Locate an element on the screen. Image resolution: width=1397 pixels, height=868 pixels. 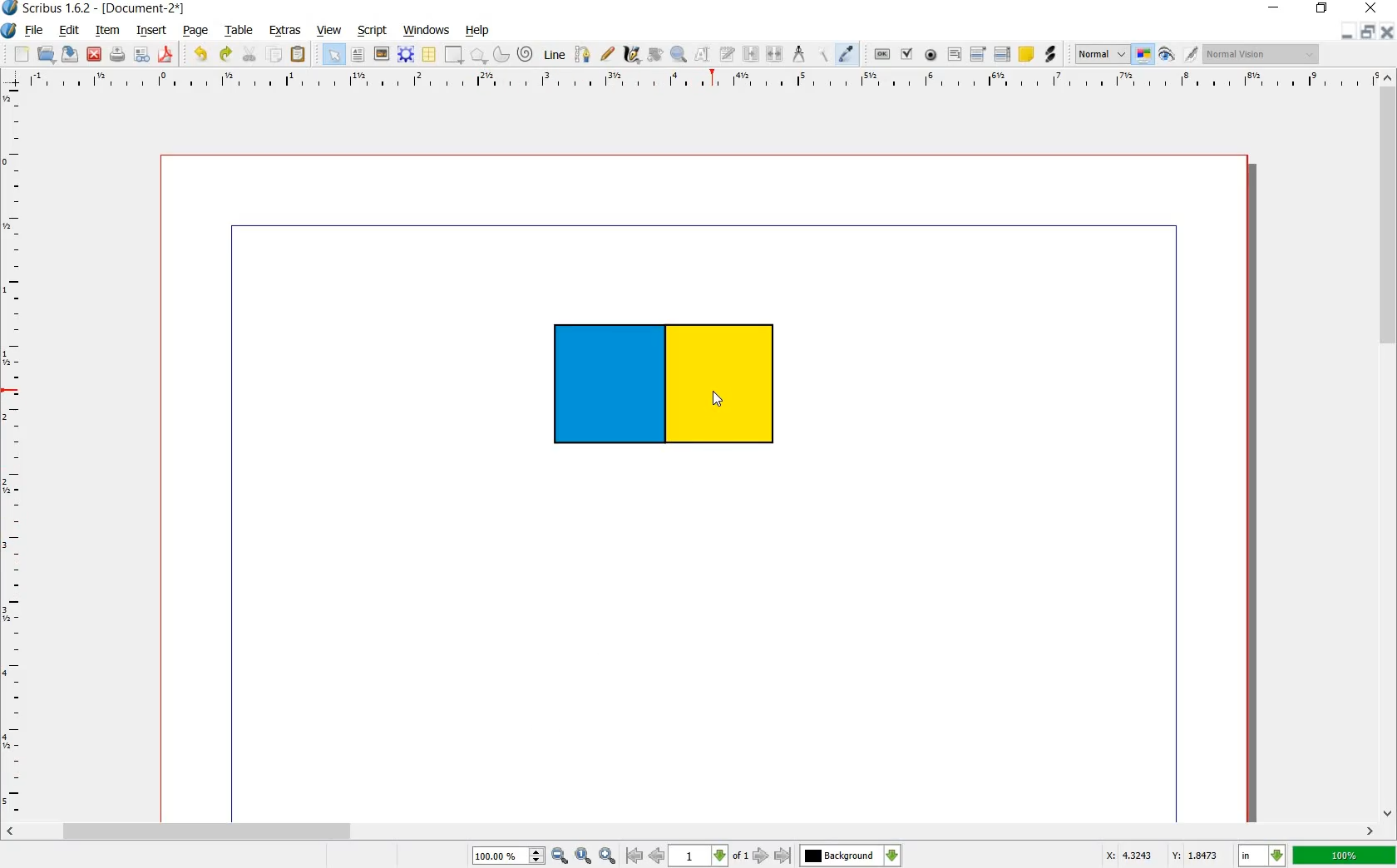
spiral is located at coordinates (525, 53).